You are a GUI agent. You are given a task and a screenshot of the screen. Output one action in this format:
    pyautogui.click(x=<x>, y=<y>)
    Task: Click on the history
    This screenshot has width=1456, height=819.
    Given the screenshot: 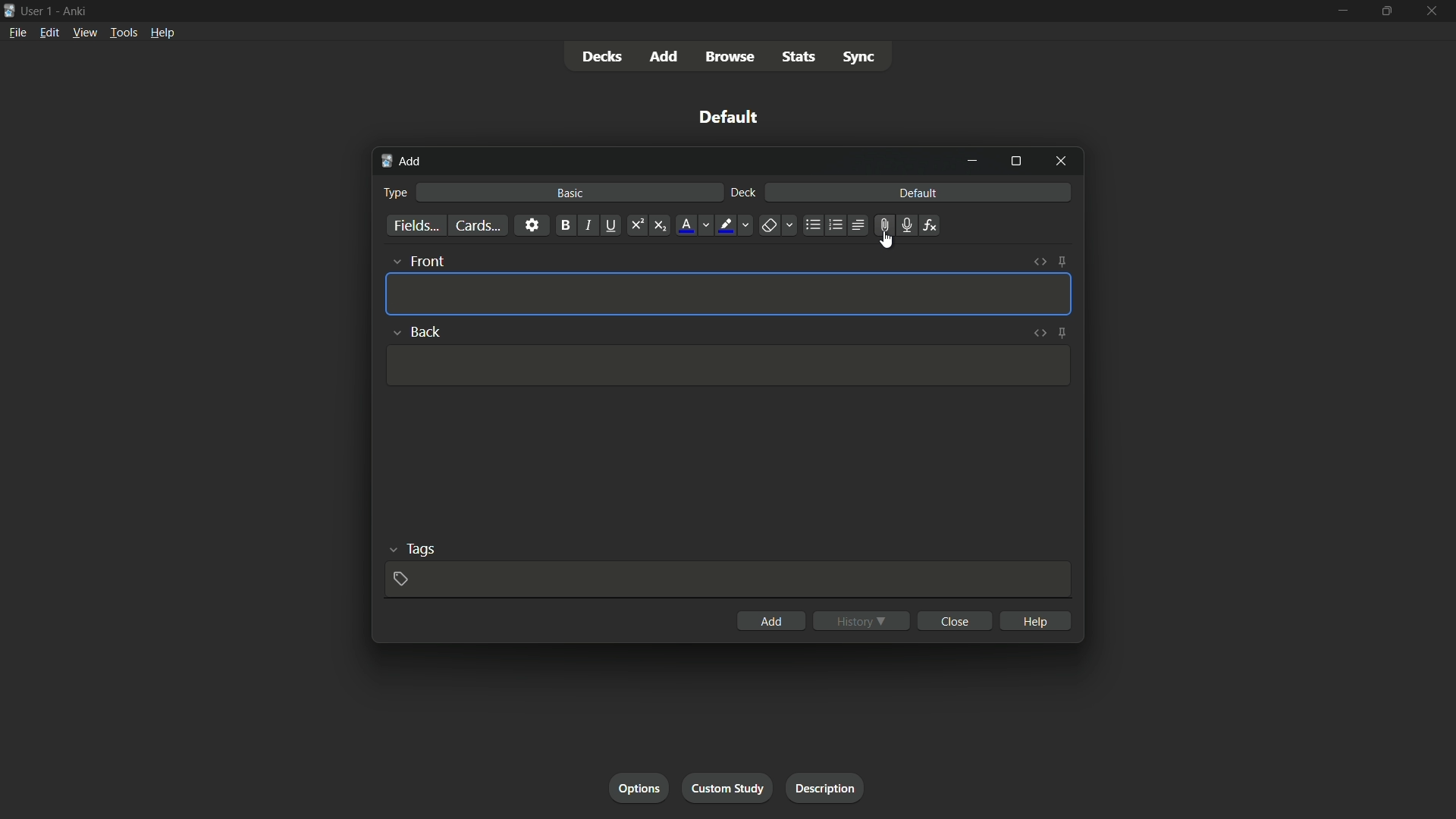 What is the action you would take?
    pyautogui.click(x=861, y=620)
    